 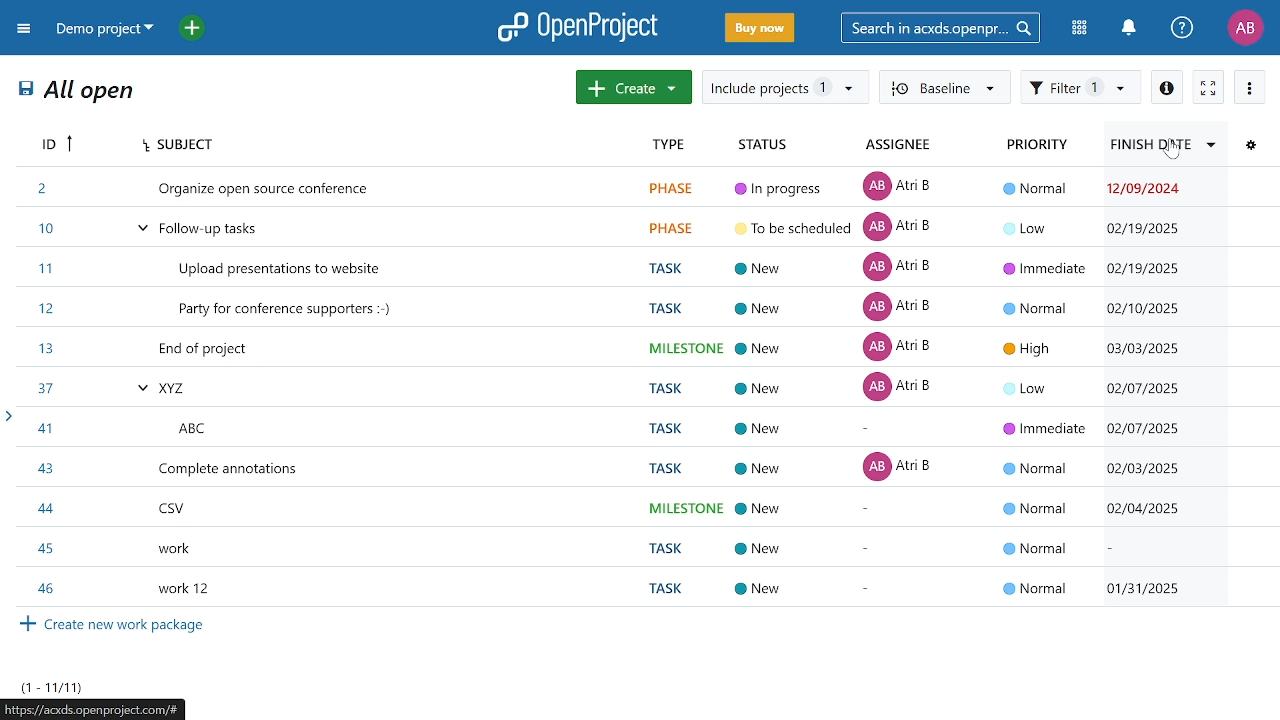 I want to click on cursor, so click(x=1172, y=155).